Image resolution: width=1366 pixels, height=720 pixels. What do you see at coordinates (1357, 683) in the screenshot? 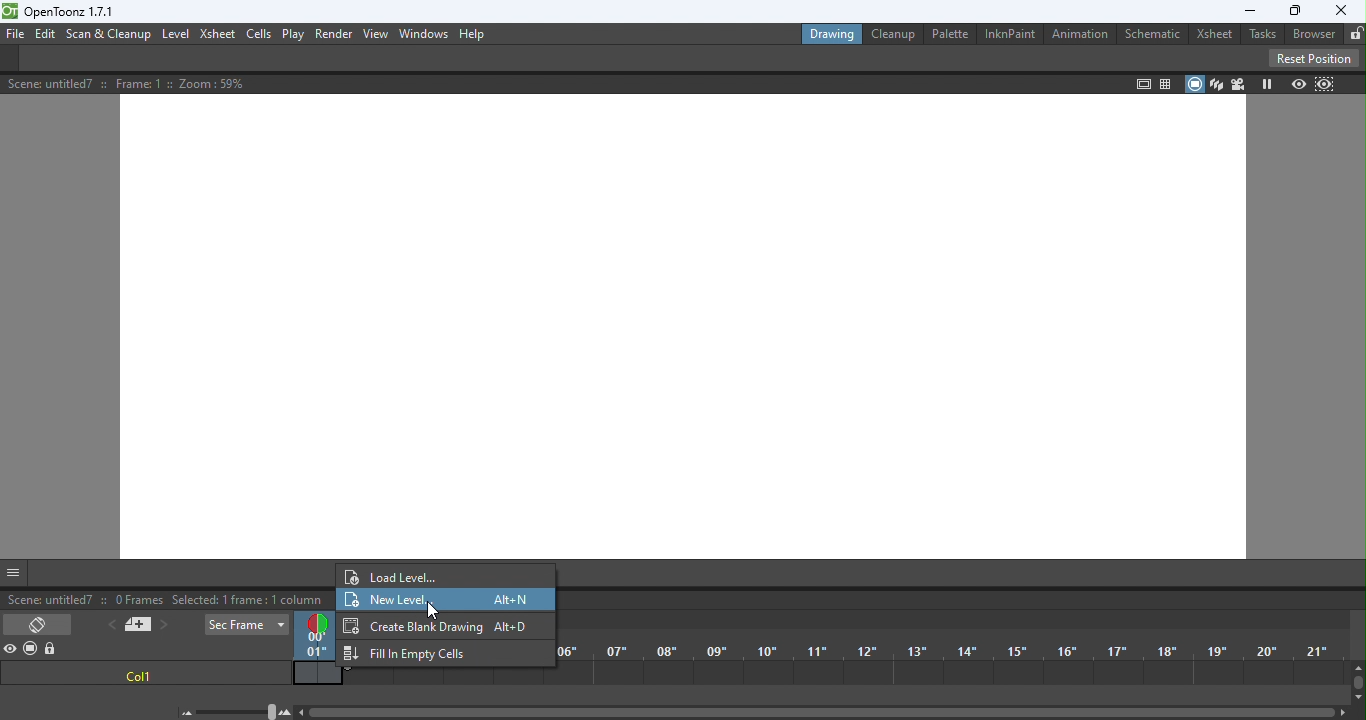
I see `Vertical scroll bar` at bounding box center [1357, 683].